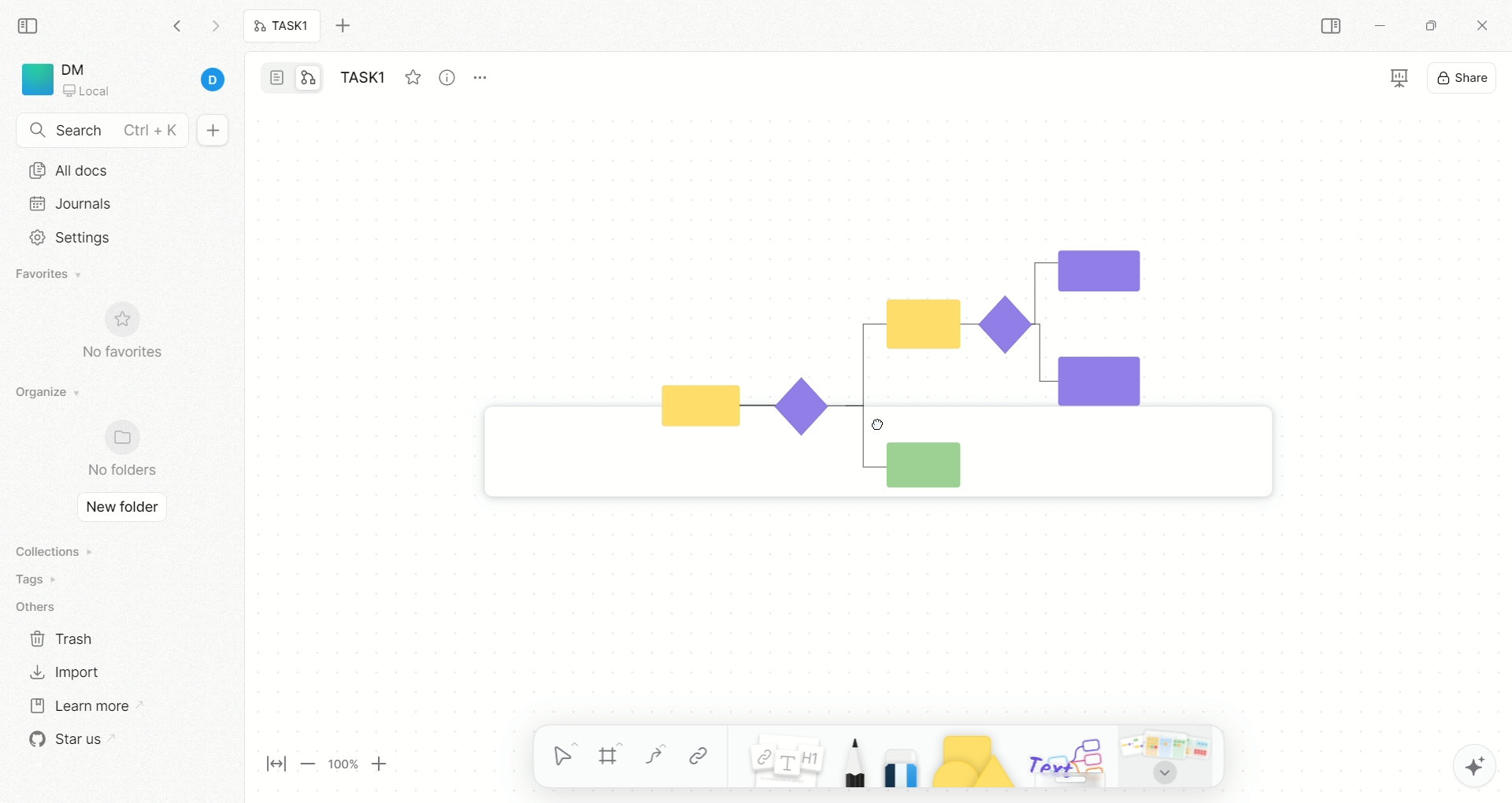 This screenshot has width=1512, height=803. What do you see at coordinates (51, 551) in the screenshot?
I see `collections` at bounding box center [51, 551].